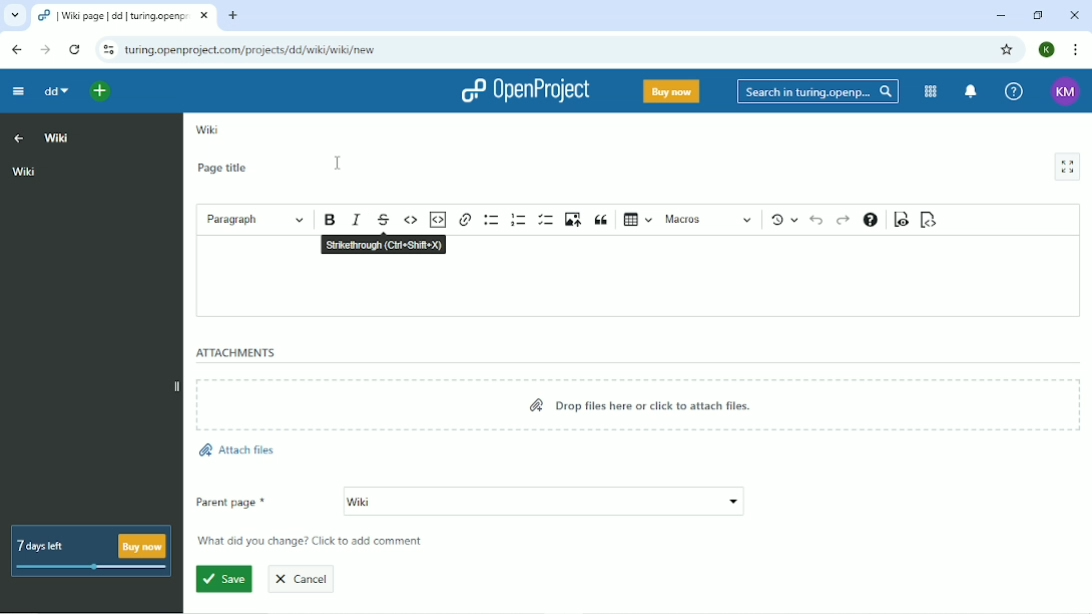  What do you see at coordinates (15, 49) in the screenshot?
I see `Back` at bounding box center [15, 49].